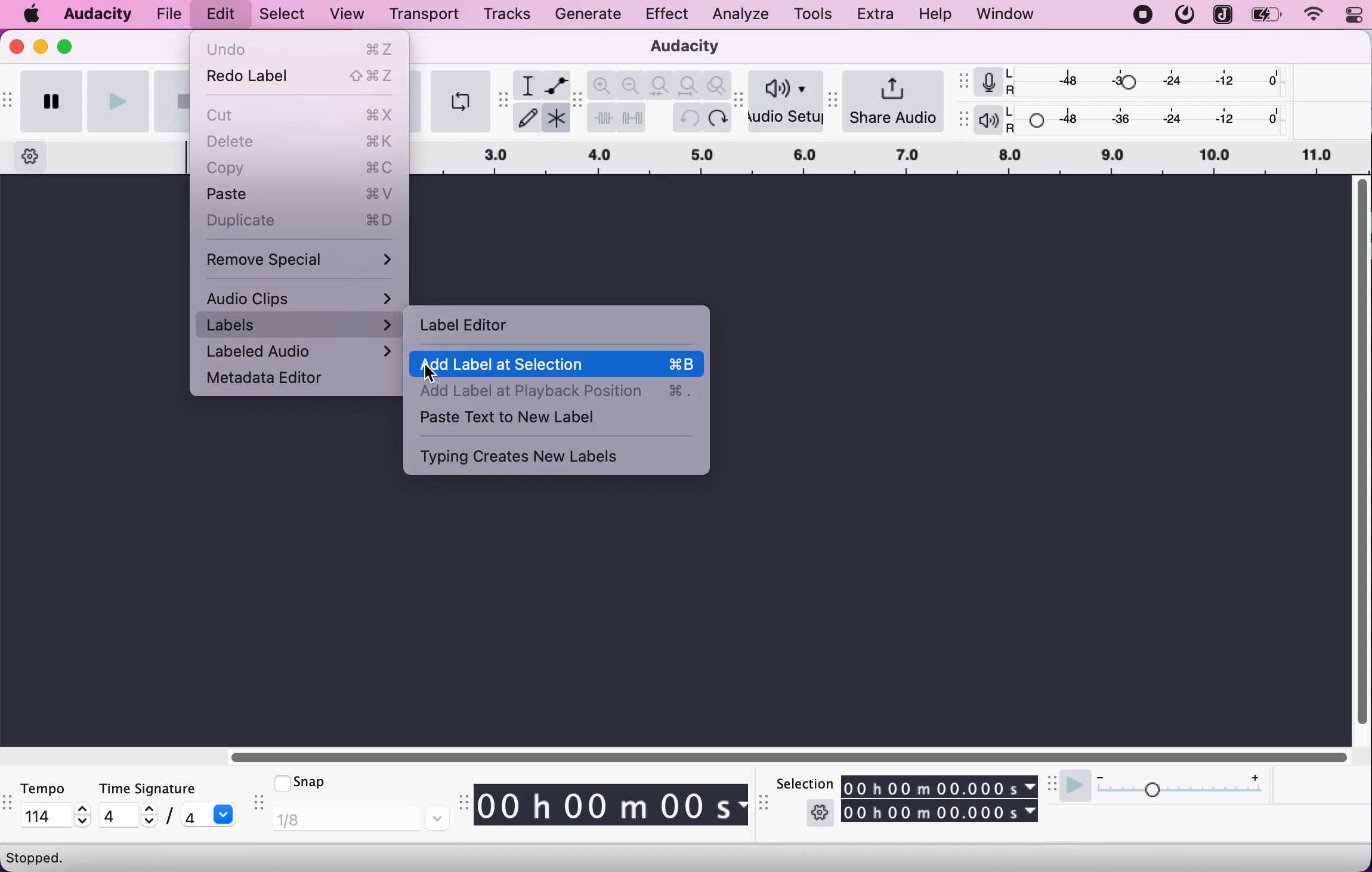  I want to click on generate, so click(592, 17).